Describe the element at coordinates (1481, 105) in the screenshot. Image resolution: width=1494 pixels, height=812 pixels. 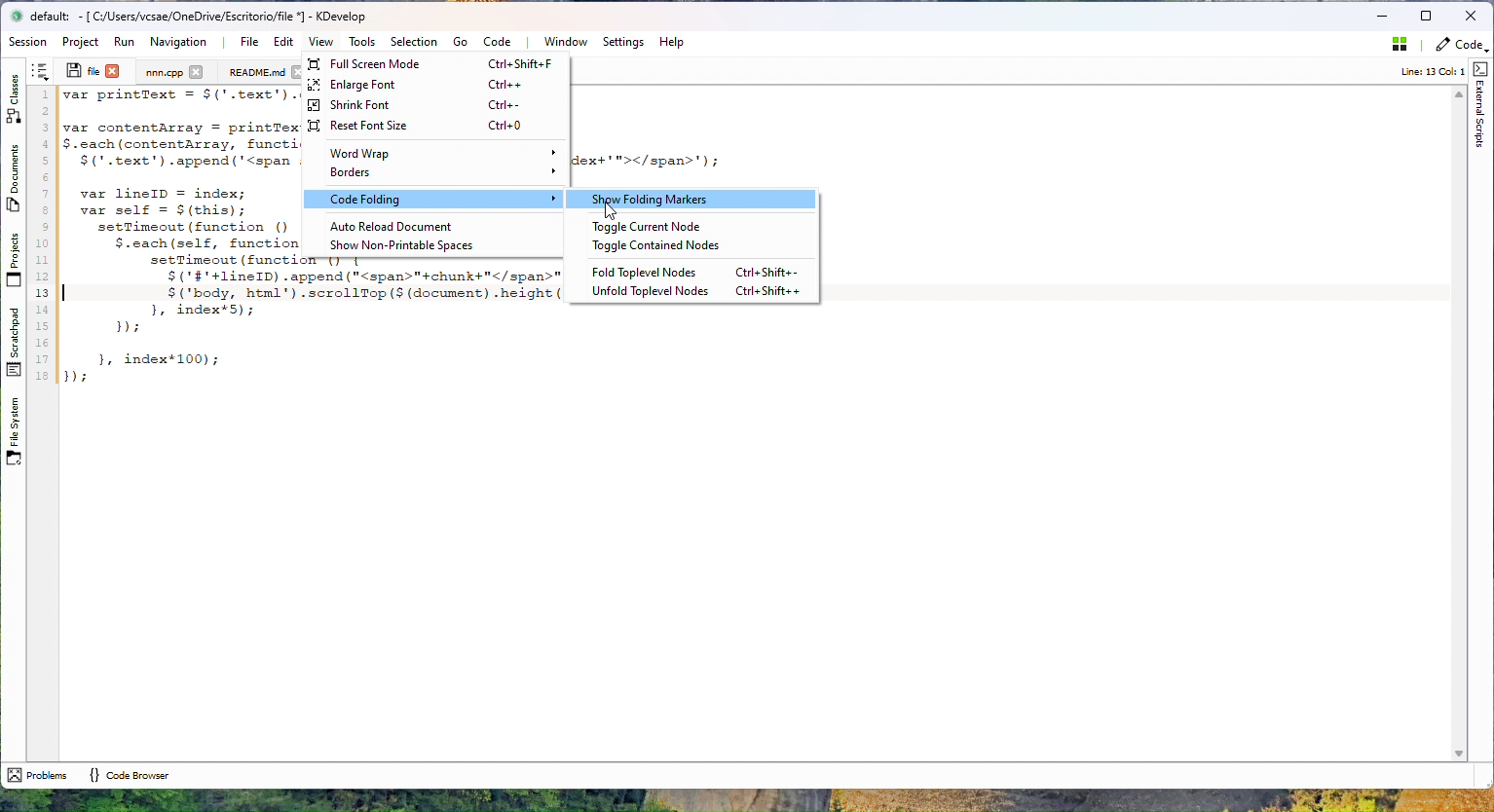
I see `External scripts` at that location.